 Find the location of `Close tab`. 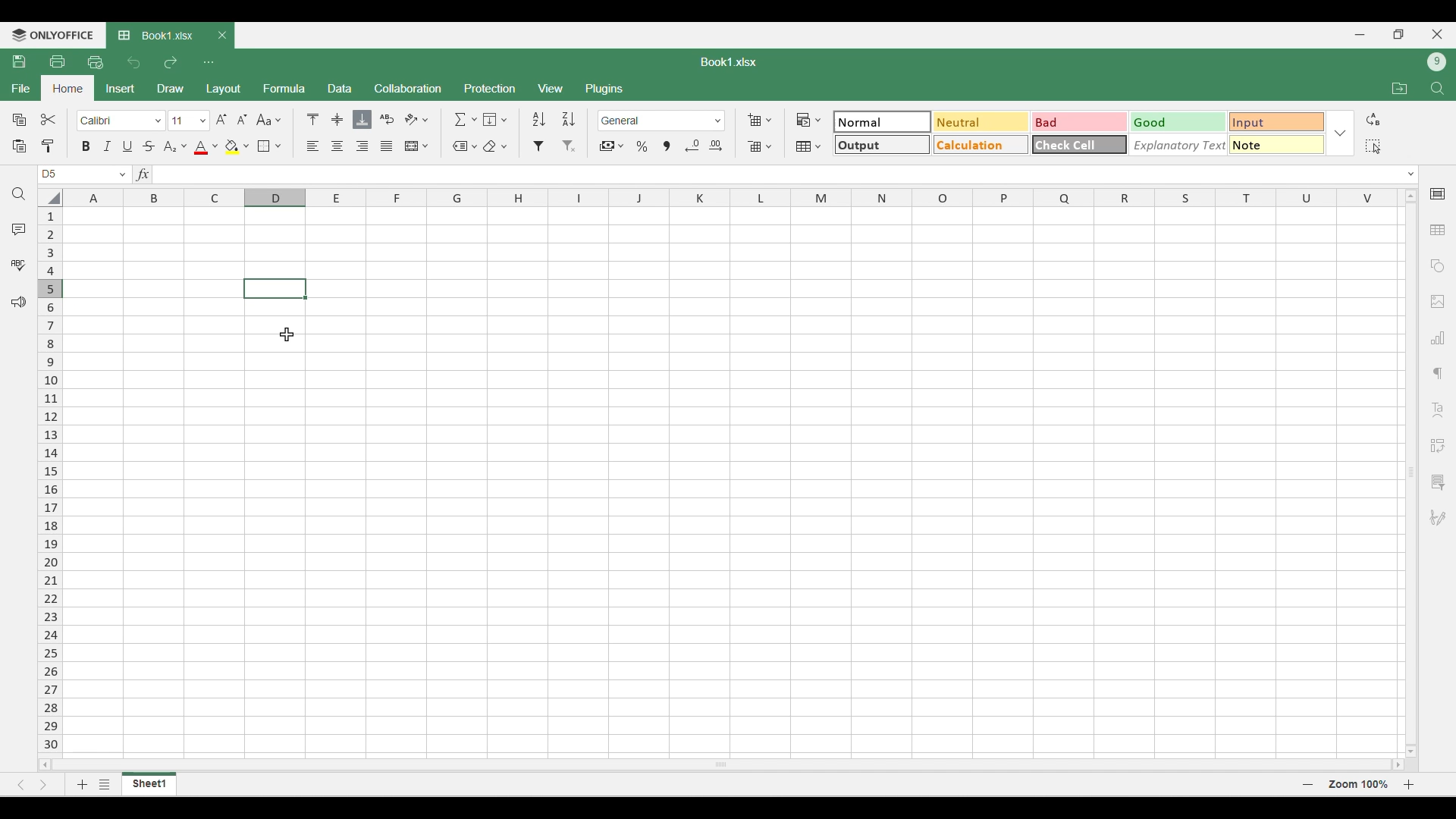

Close tab is located at coordinates (222, 36).